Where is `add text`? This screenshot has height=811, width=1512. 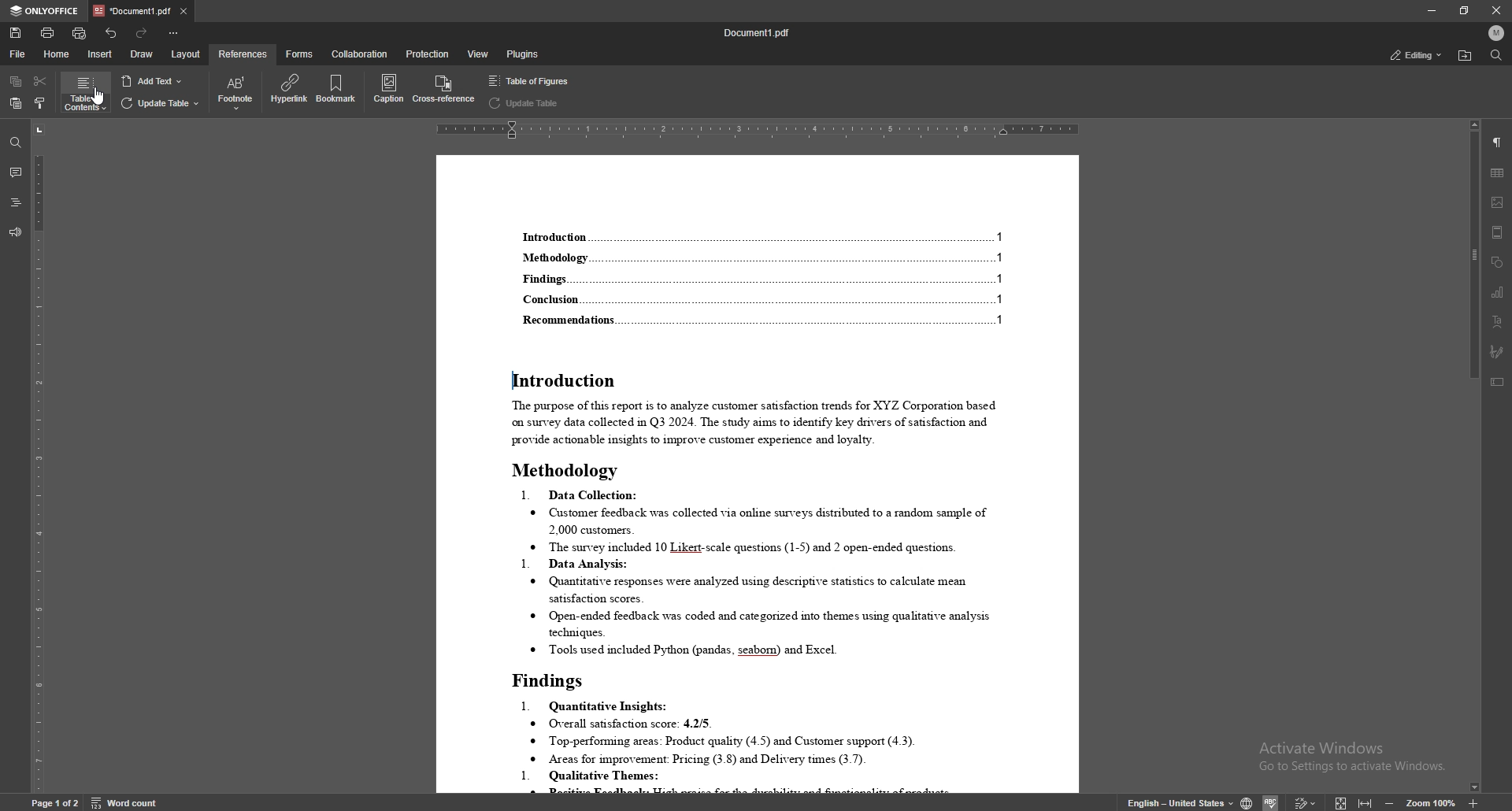
add text is located at coordinates (155, 80).